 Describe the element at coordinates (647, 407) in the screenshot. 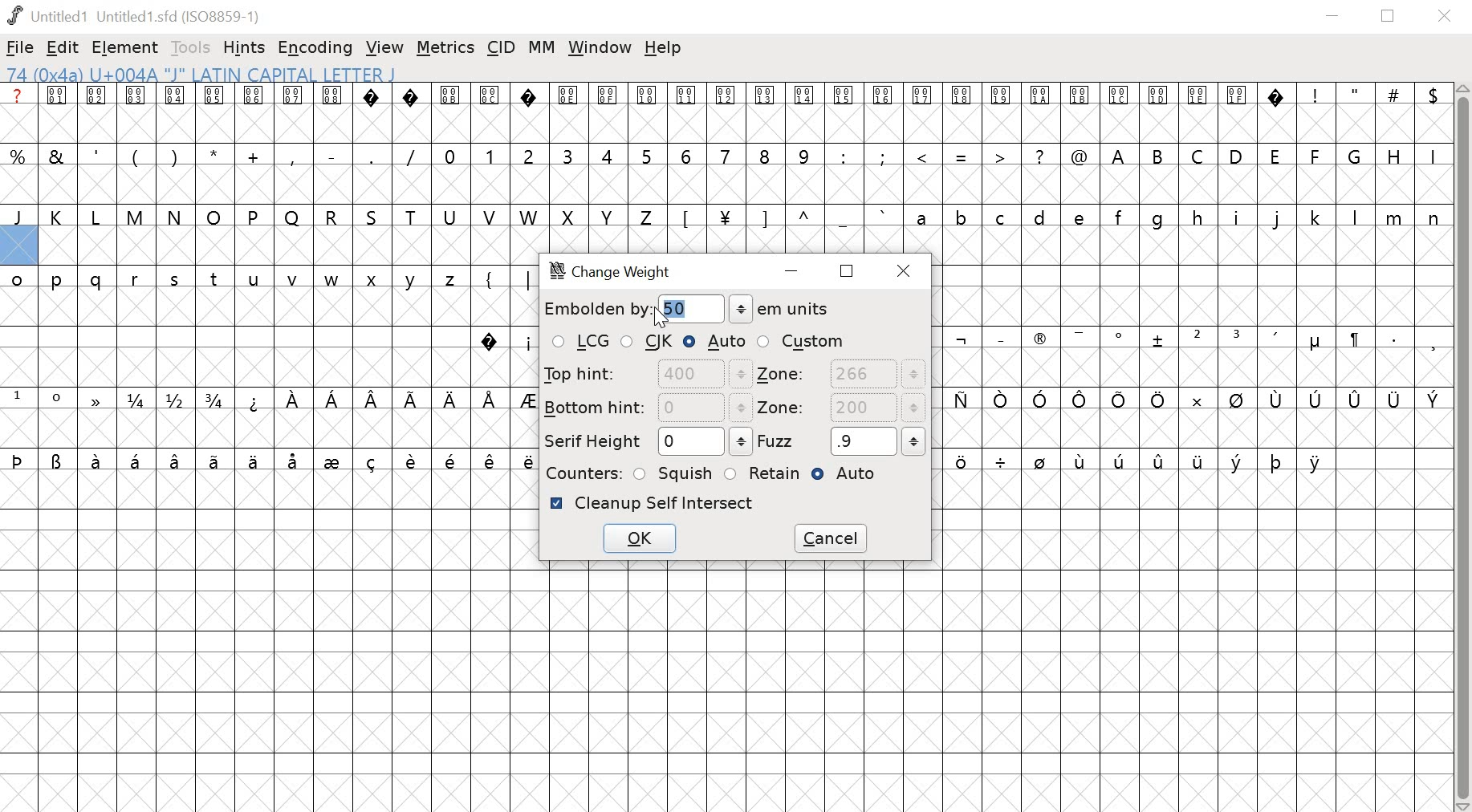

I see `BOTTOM HINT` at that location.